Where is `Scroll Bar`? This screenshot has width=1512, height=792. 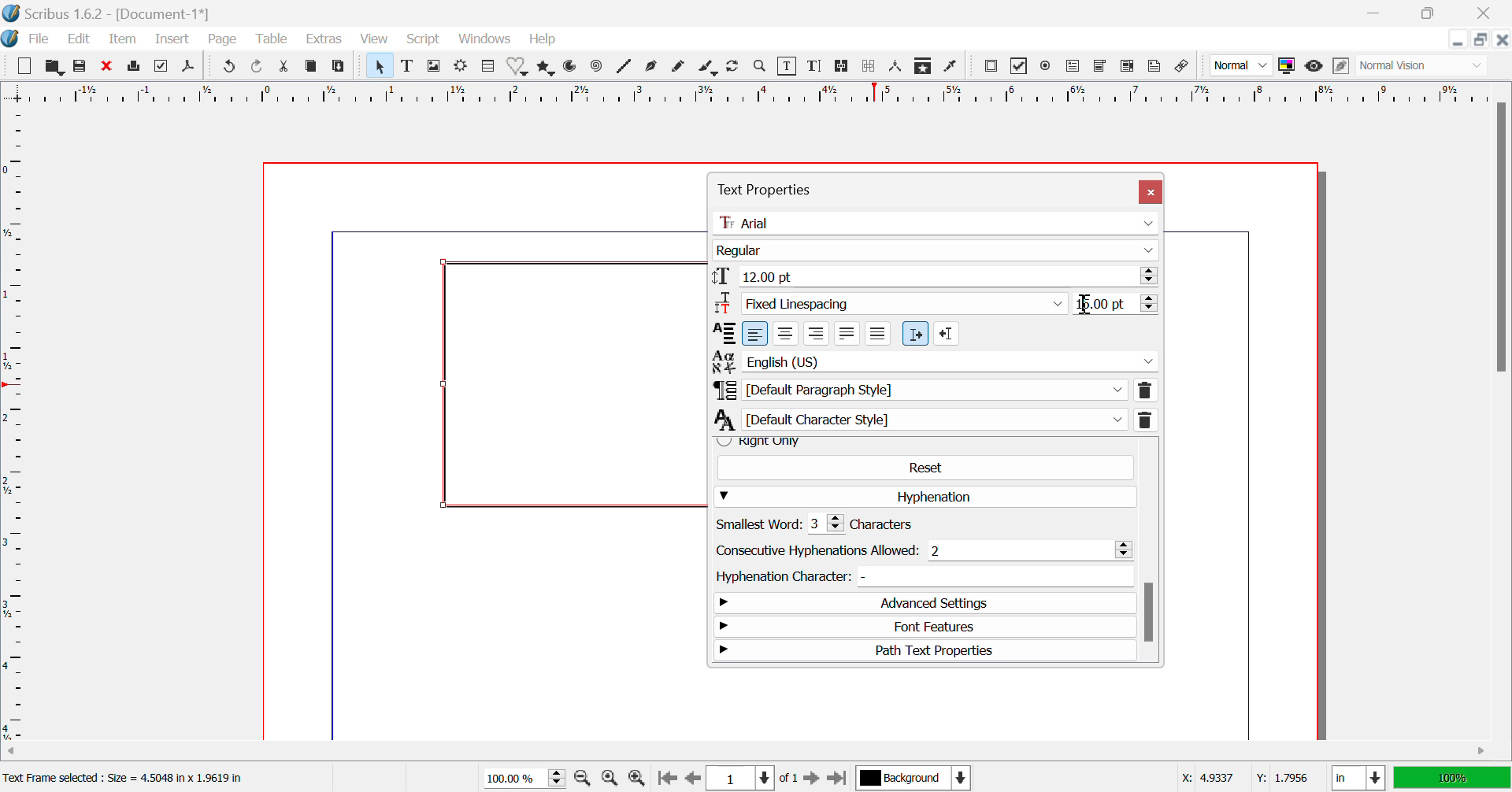
Scroll Bar is located at coordinates (1149, 552).